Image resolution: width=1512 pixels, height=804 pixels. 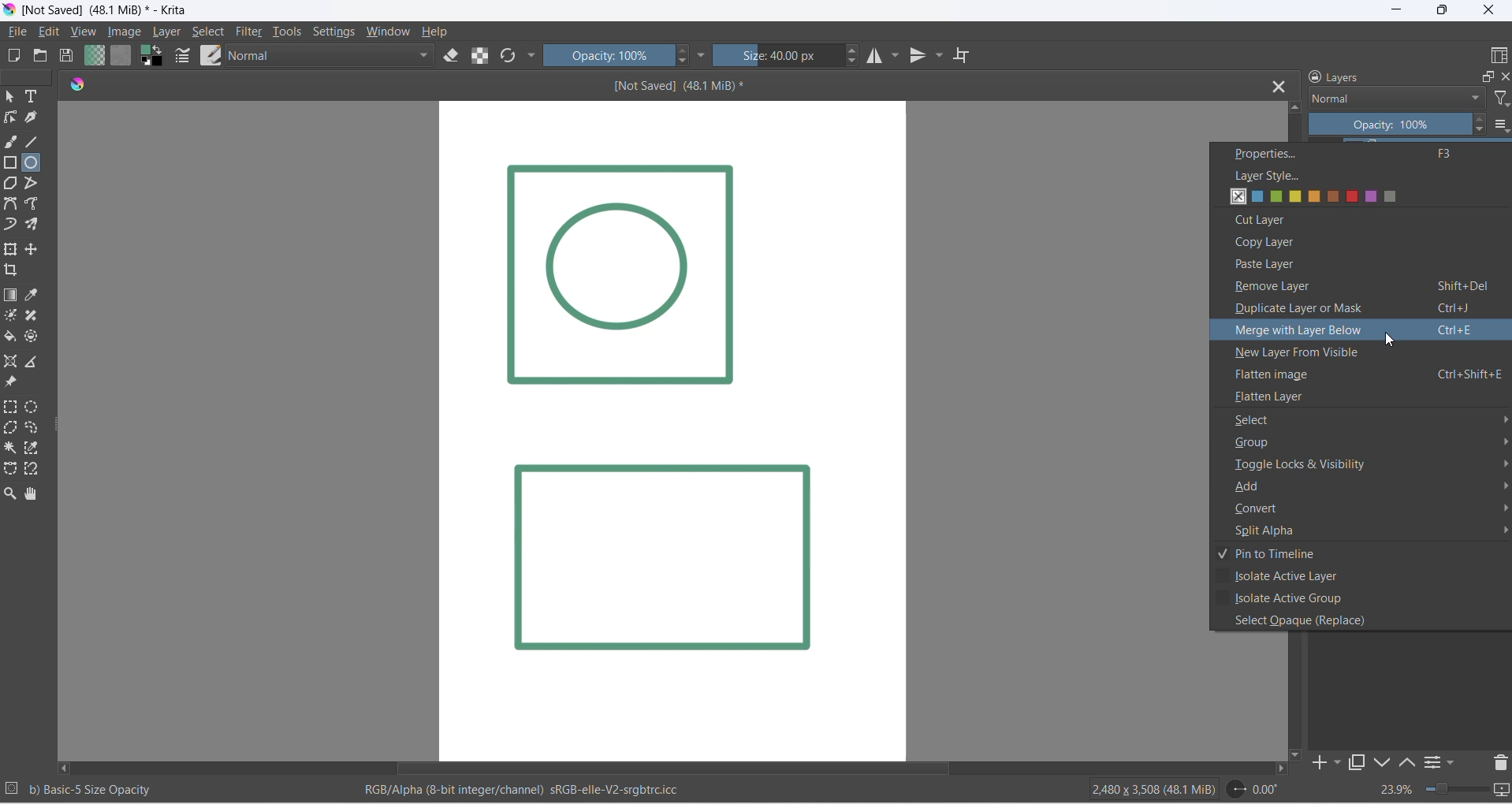 What do you see at coordinates (13, 338) in the screenshot?
I see `fill color` at bounding box center [13, 338].